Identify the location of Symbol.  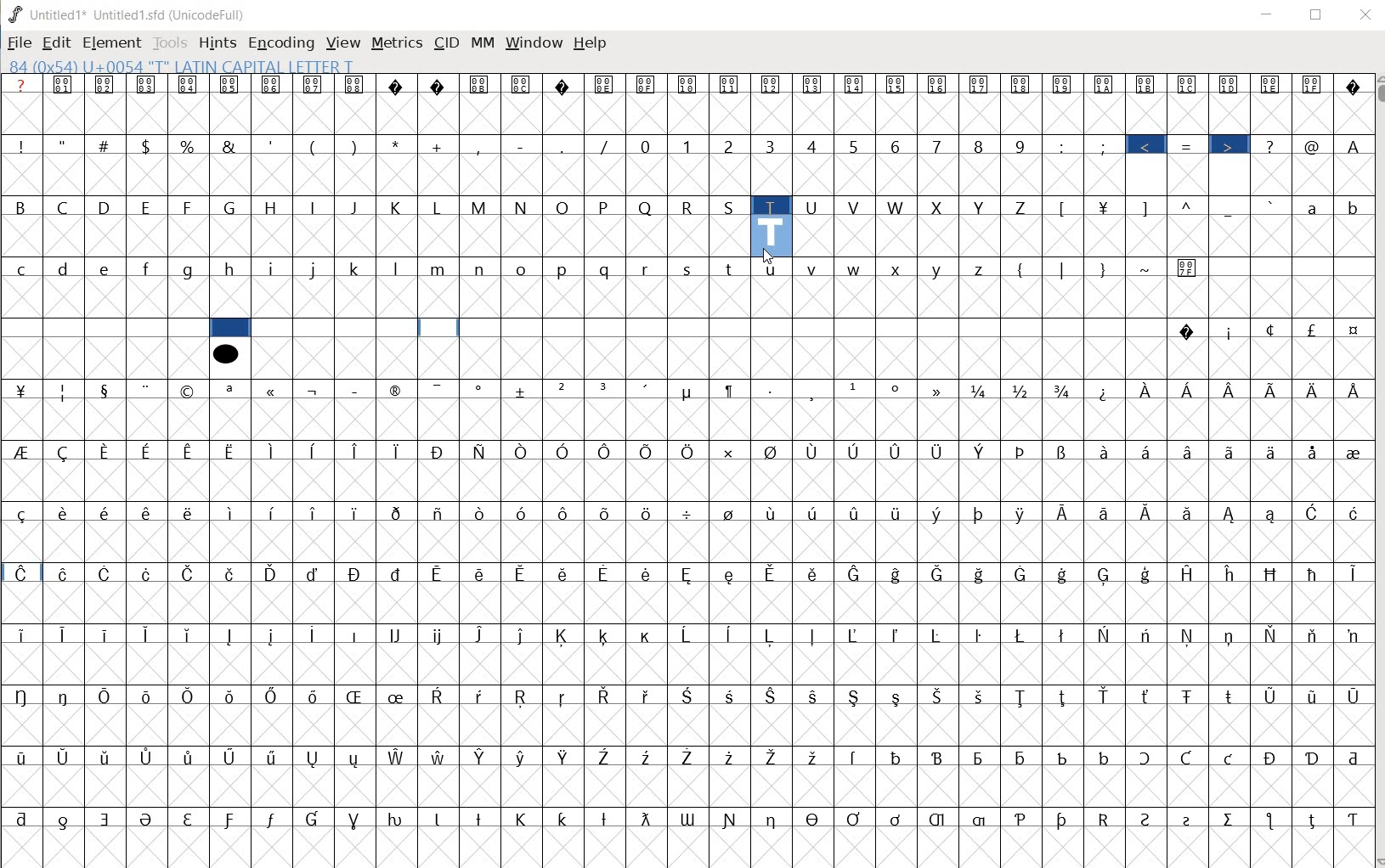
(187, 84).